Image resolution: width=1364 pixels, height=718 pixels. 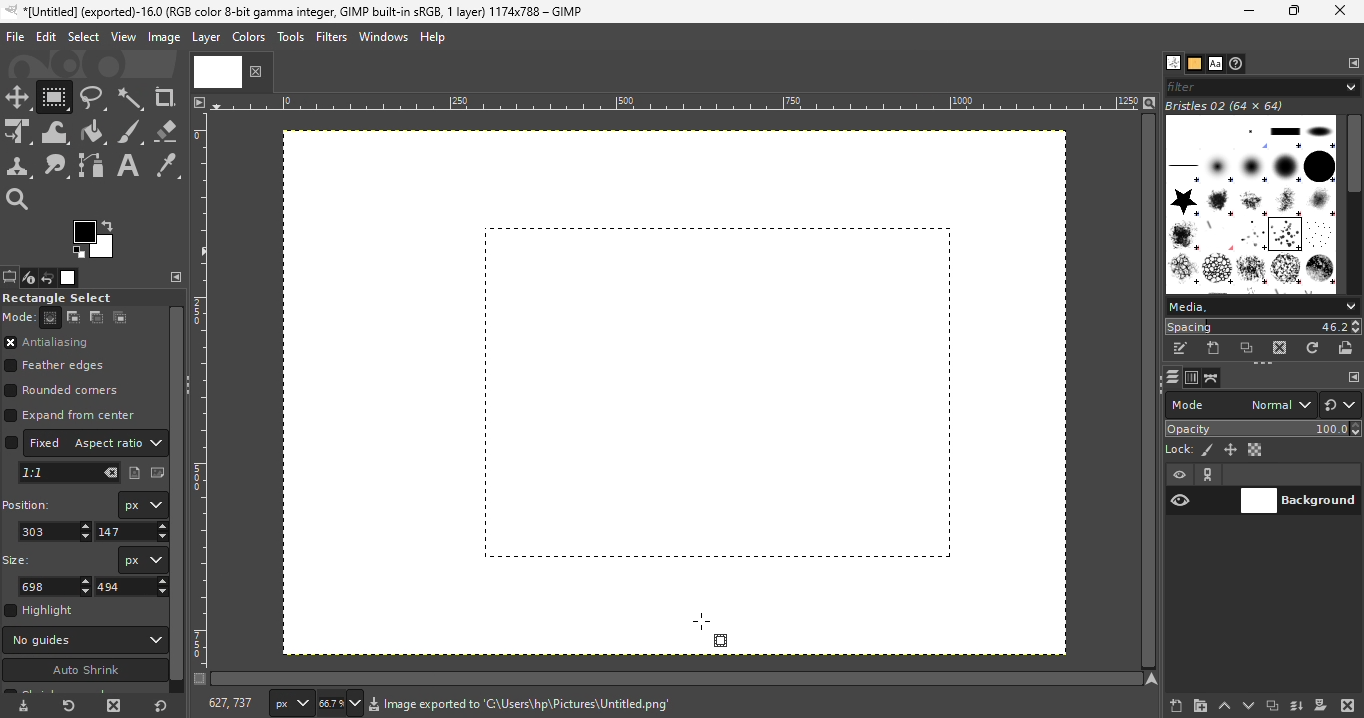 What do you see at coordinates (18, 97) in the screenshot?
I see `Move tool` at bounding box center [18, 97].